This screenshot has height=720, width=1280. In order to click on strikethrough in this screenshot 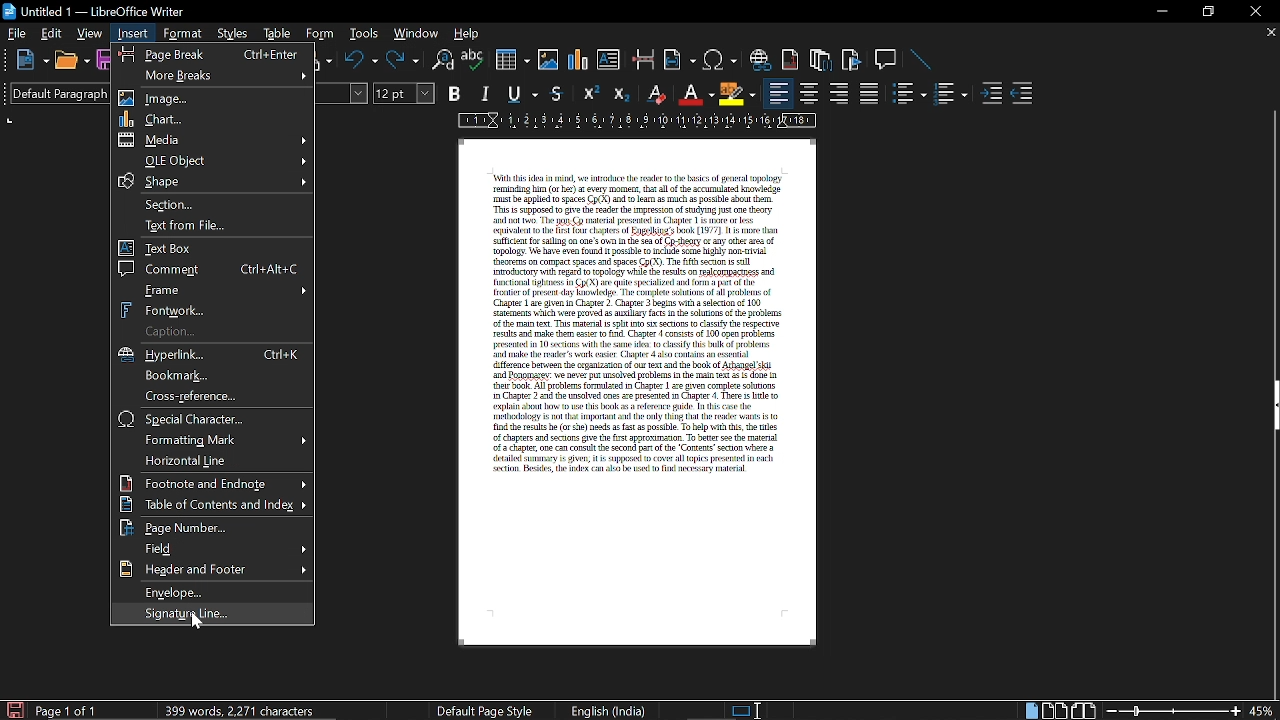, I will do `click(557, 94)`.